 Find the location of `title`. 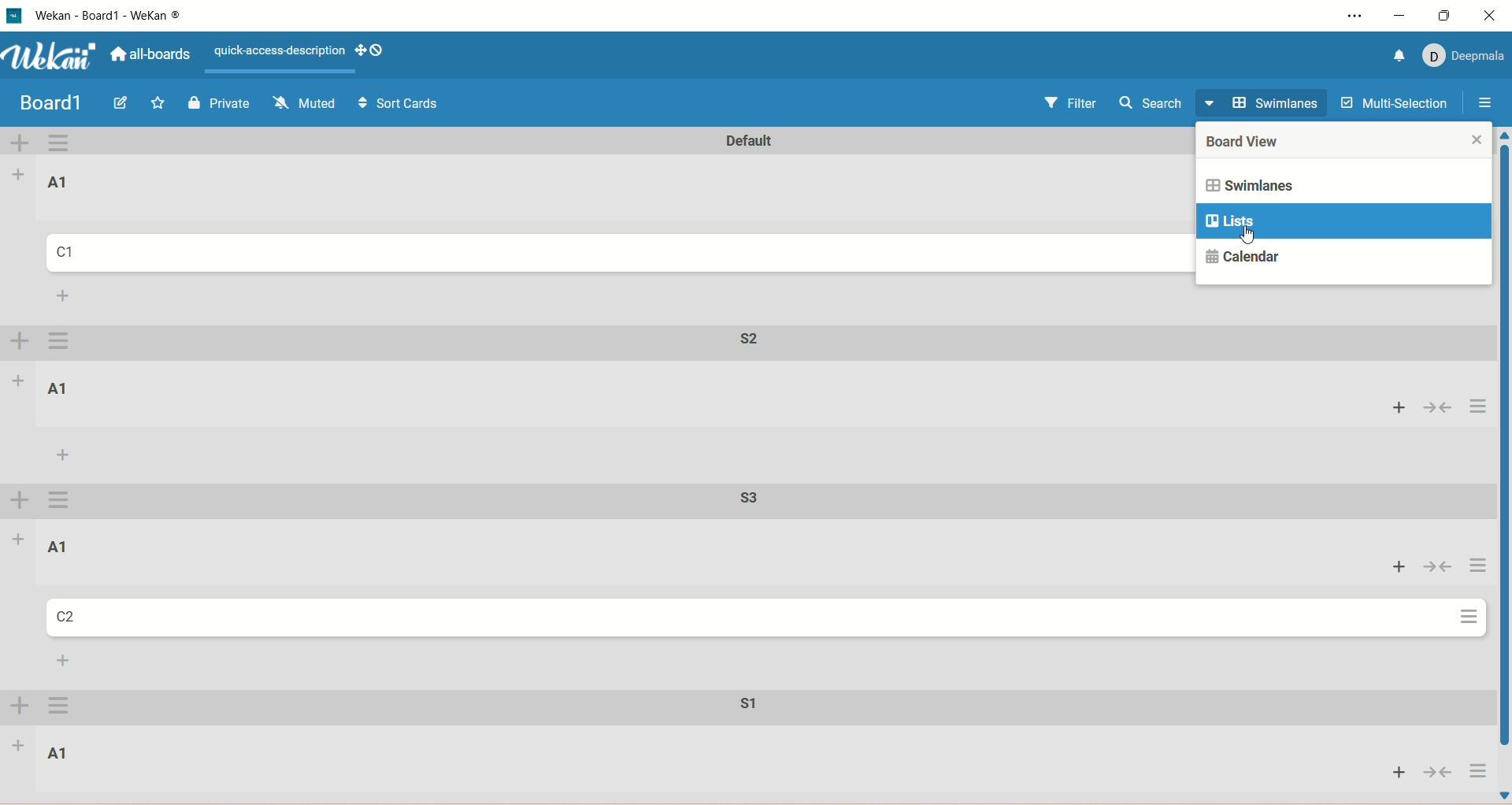

title is located at coordinates (129, 15).